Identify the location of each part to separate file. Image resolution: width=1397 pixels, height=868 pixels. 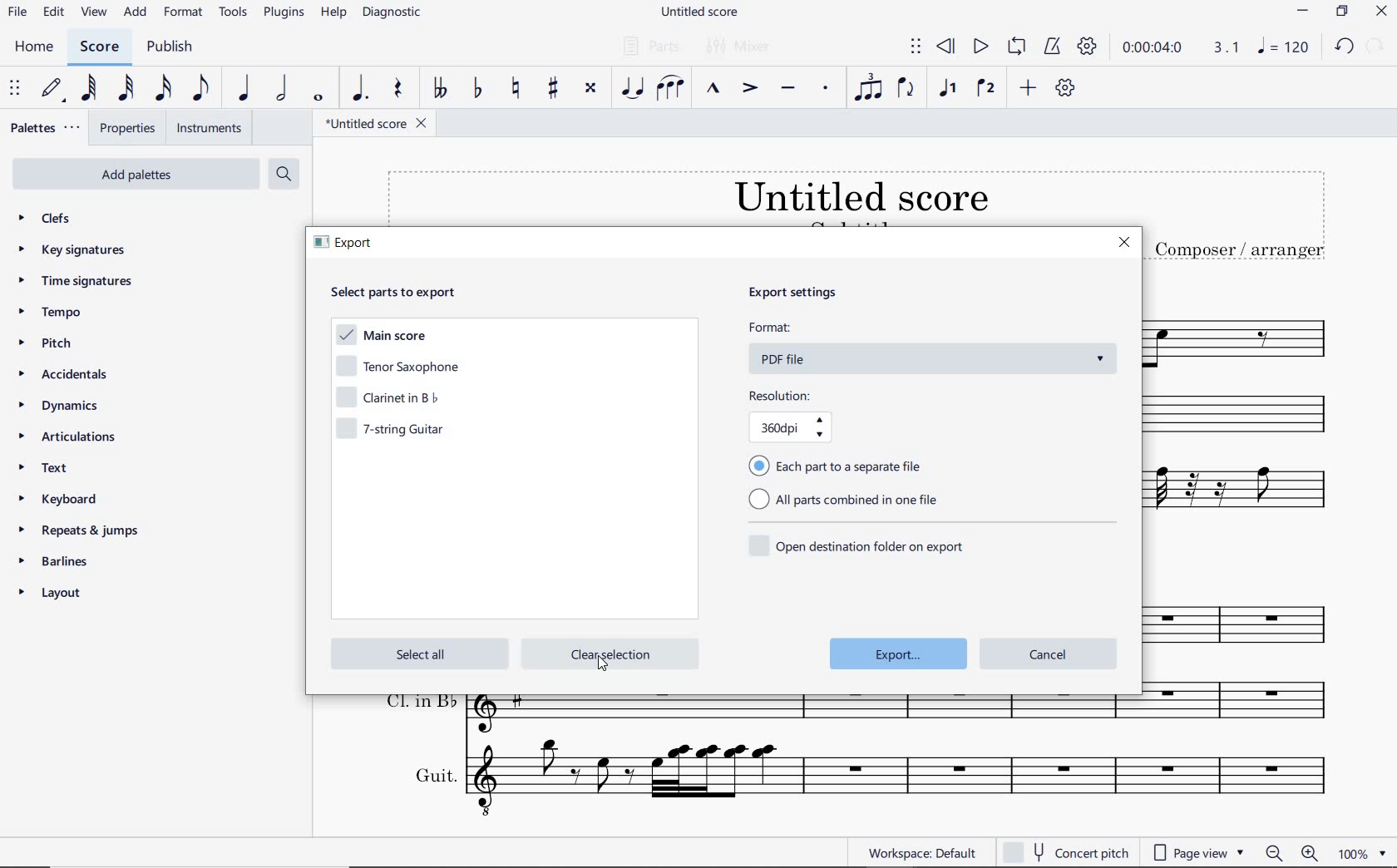
(840, 465).